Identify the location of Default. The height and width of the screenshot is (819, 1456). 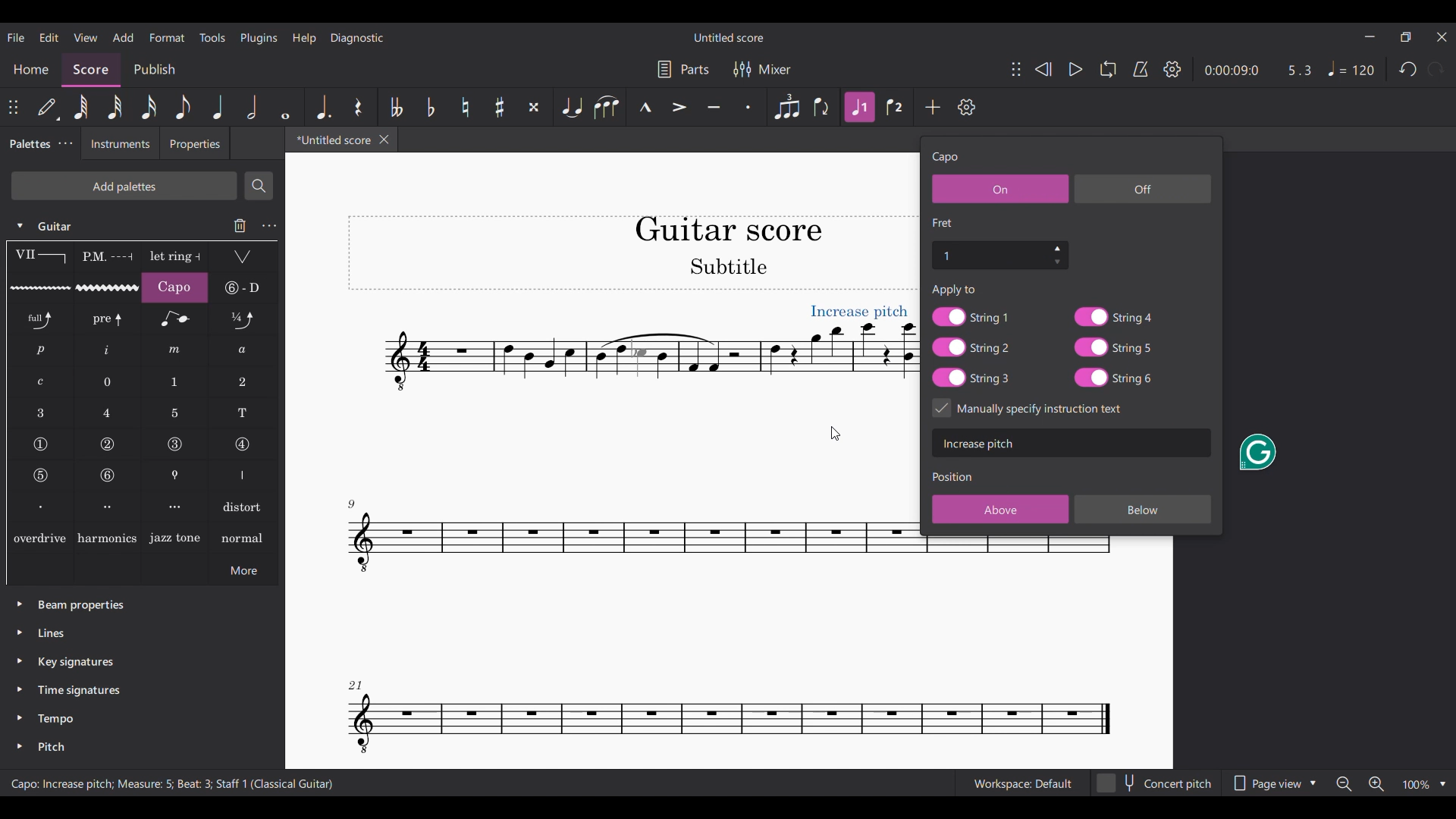
(49, 108).